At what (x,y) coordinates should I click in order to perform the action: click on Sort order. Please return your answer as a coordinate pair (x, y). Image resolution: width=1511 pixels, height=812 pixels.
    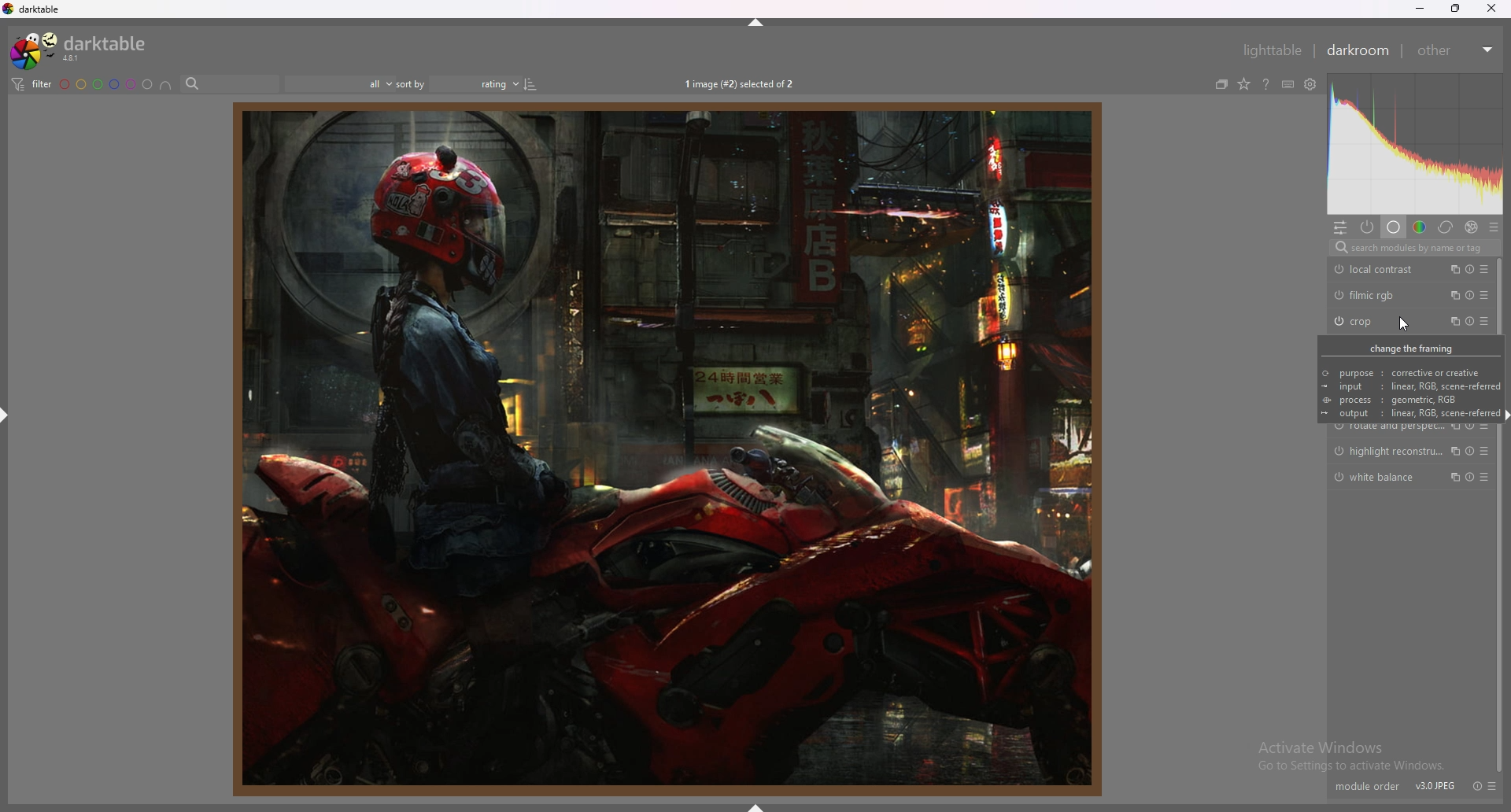
    Looking at the image, I should click on (485, 83).